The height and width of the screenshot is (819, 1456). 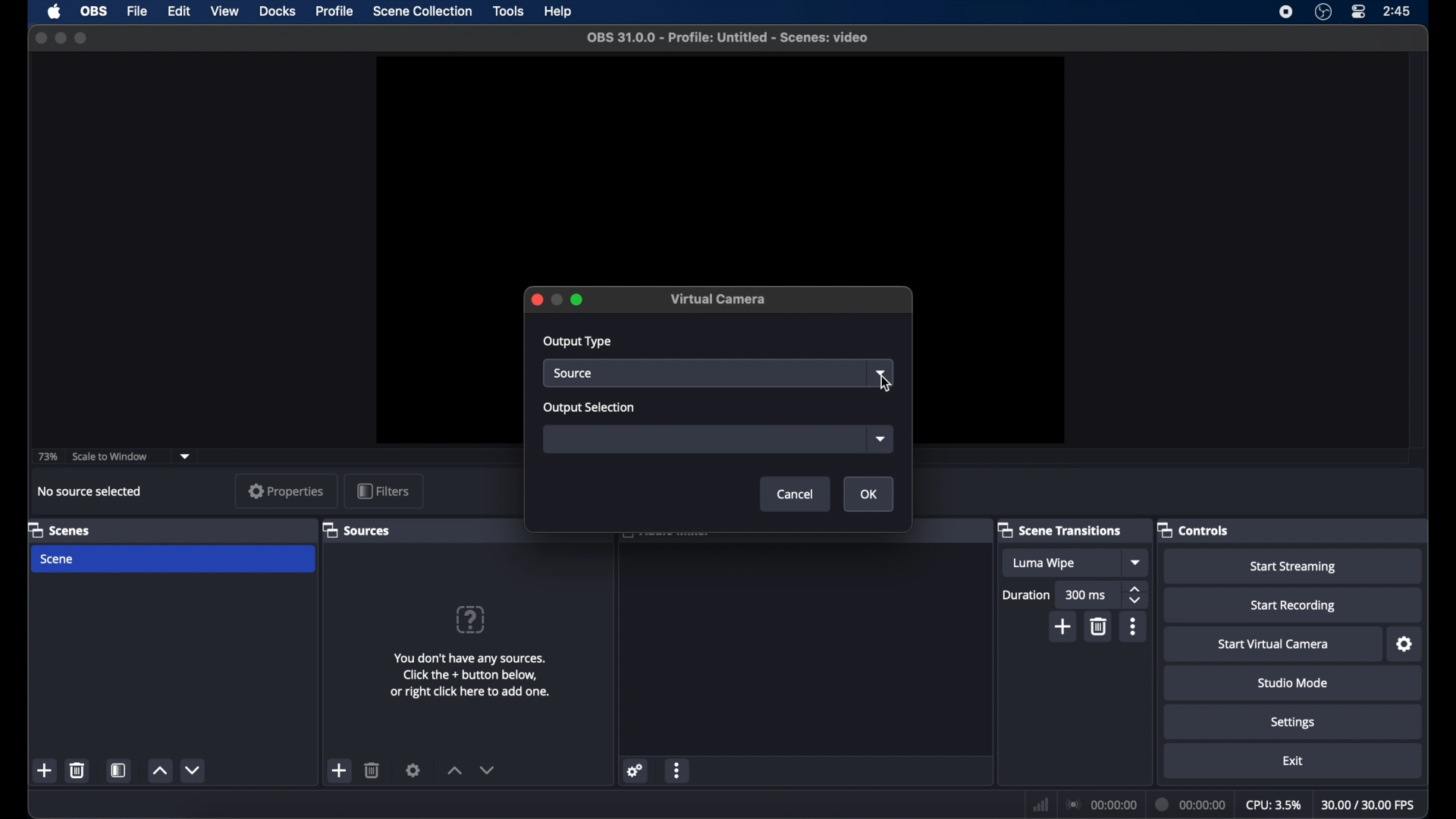 I want to click on stepper buttons, so click(x=1136, y=595).